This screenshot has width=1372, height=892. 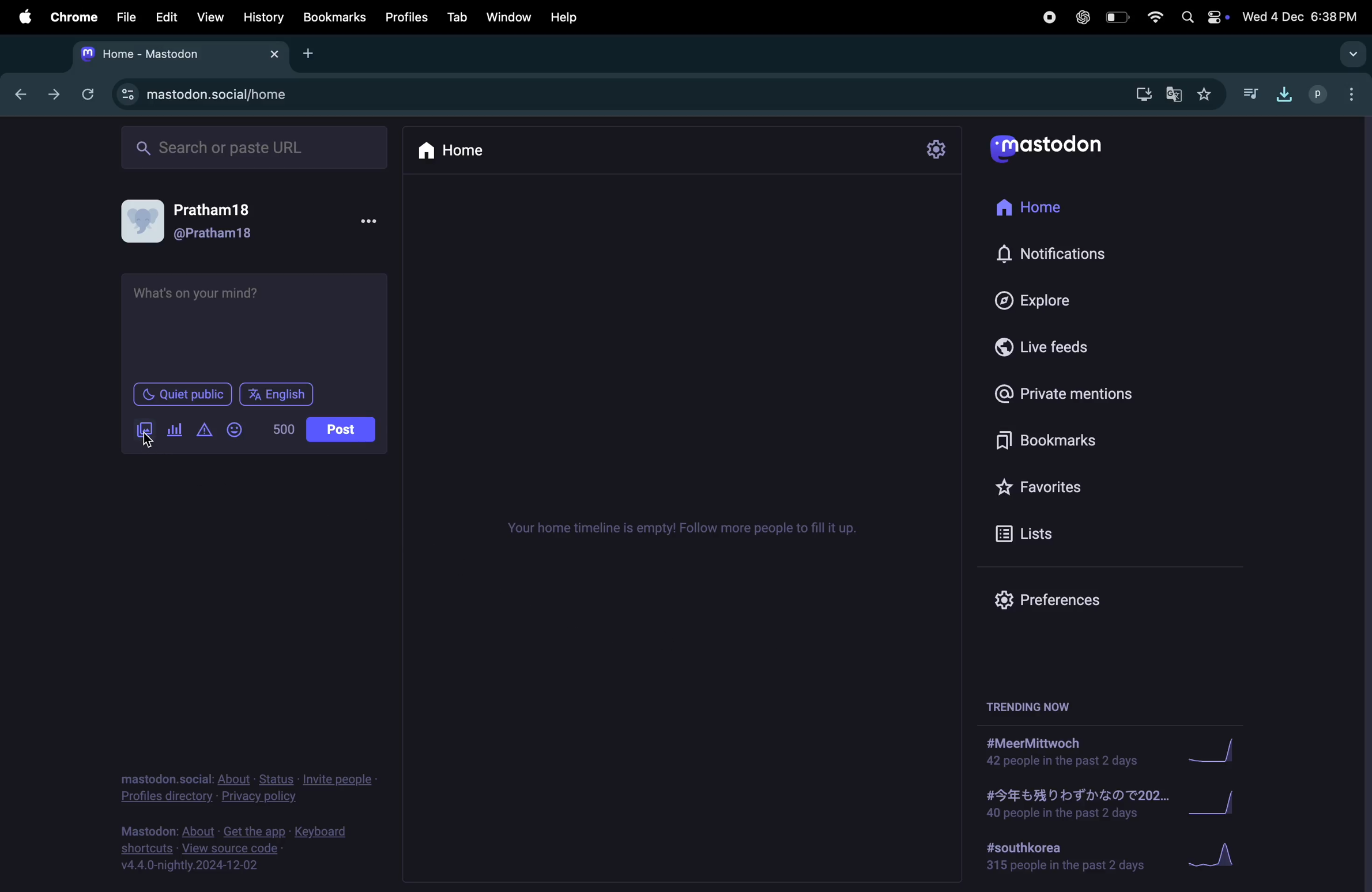 I want to click on home, so click(x=1034, y=211).